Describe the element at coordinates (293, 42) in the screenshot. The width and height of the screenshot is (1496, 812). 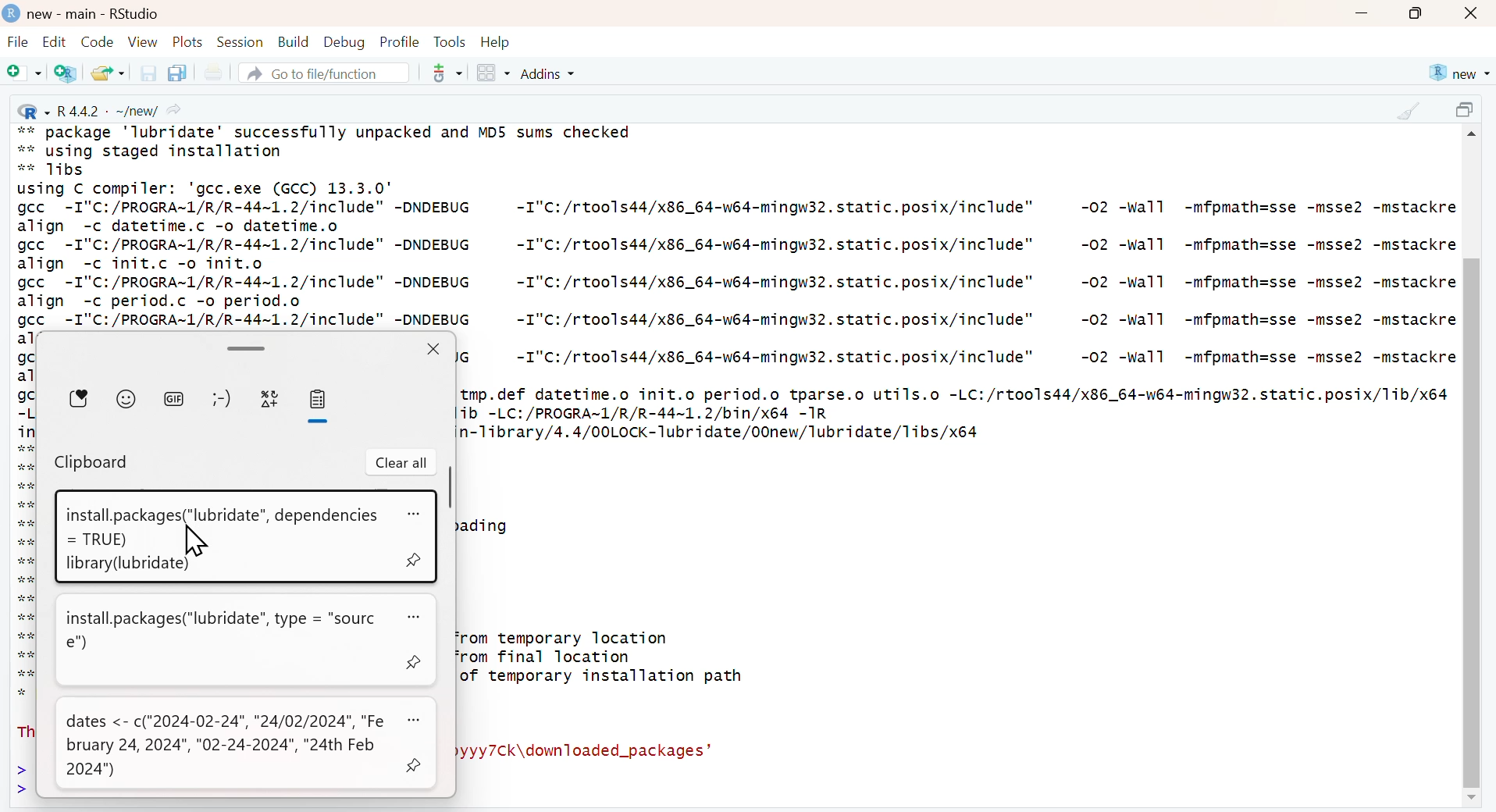
I see `Build` at that location.